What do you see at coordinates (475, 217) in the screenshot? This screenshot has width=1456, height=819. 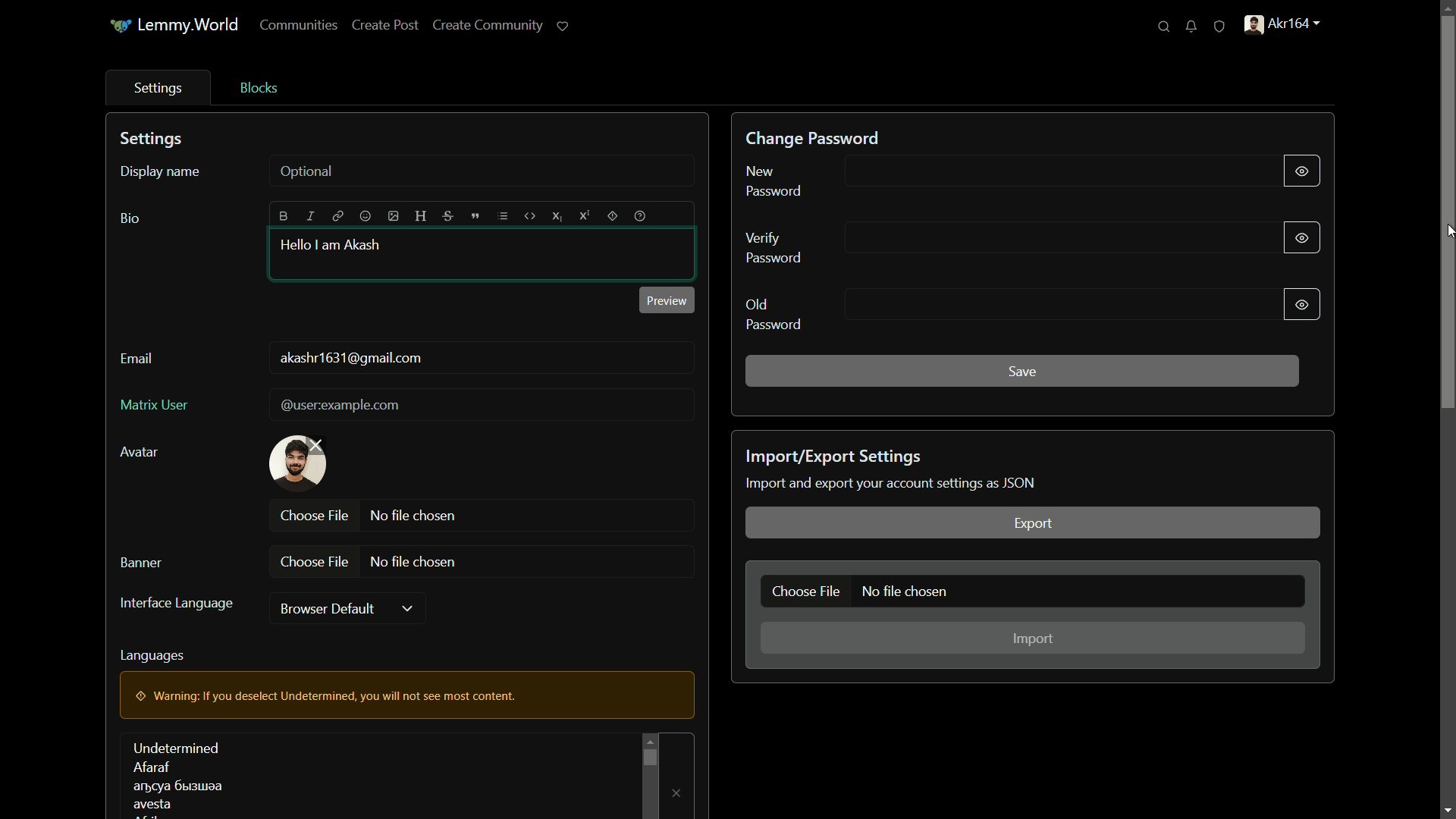 I see `quote` at bounding box center [475, 217].